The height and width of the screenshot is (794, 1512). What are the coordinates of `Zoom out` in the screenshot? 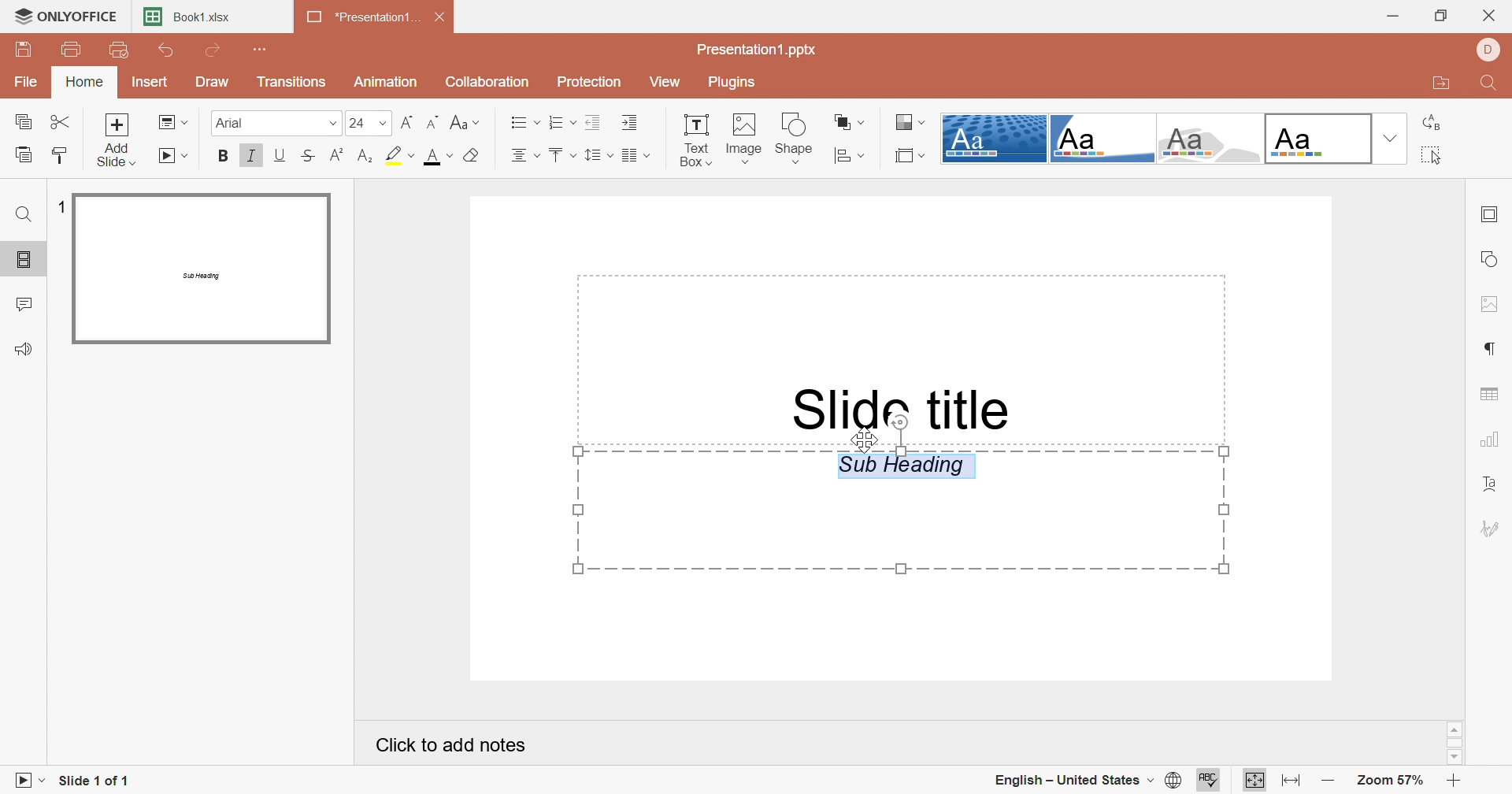 It's located at (1326, 777).